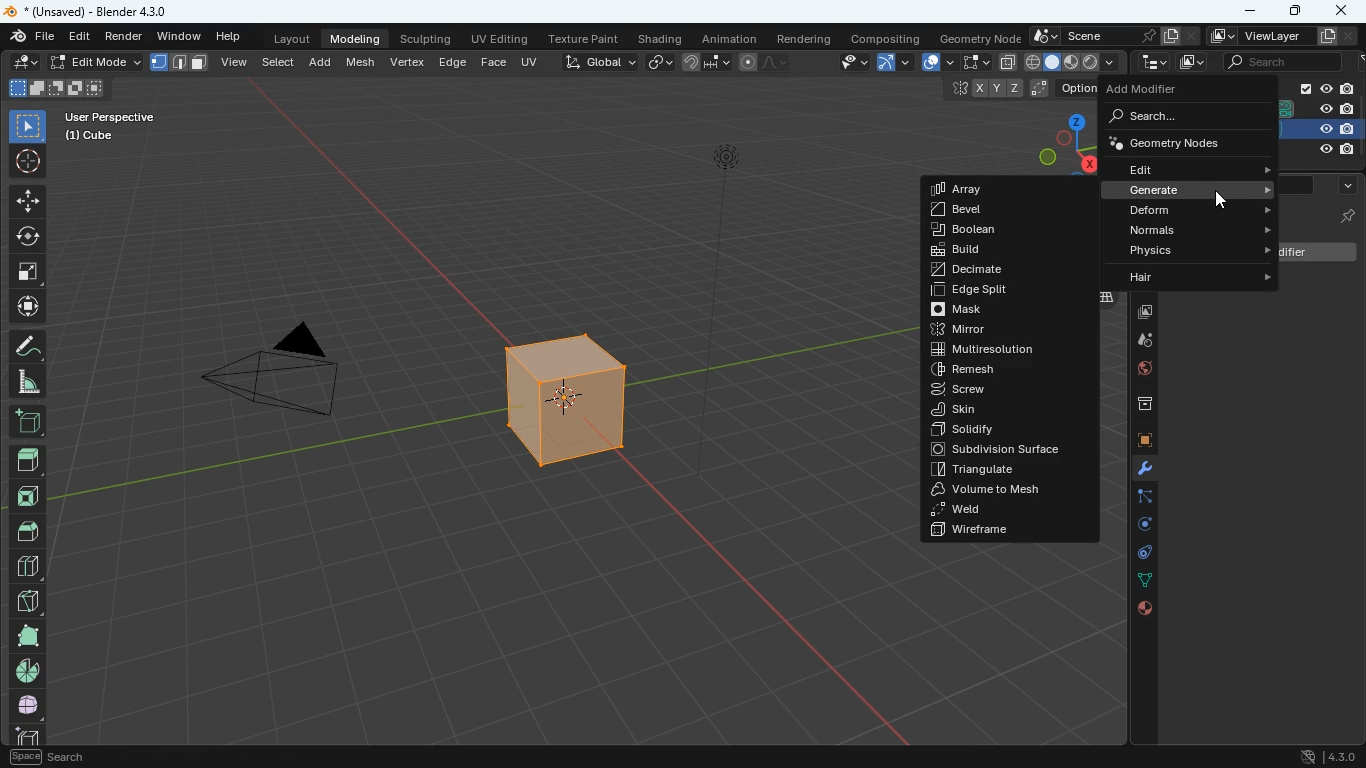 The height and width of the screenshot is (768, 1366). Describe the element at coordinates (23, 735) in the screenshot. I see `cube` at that location.